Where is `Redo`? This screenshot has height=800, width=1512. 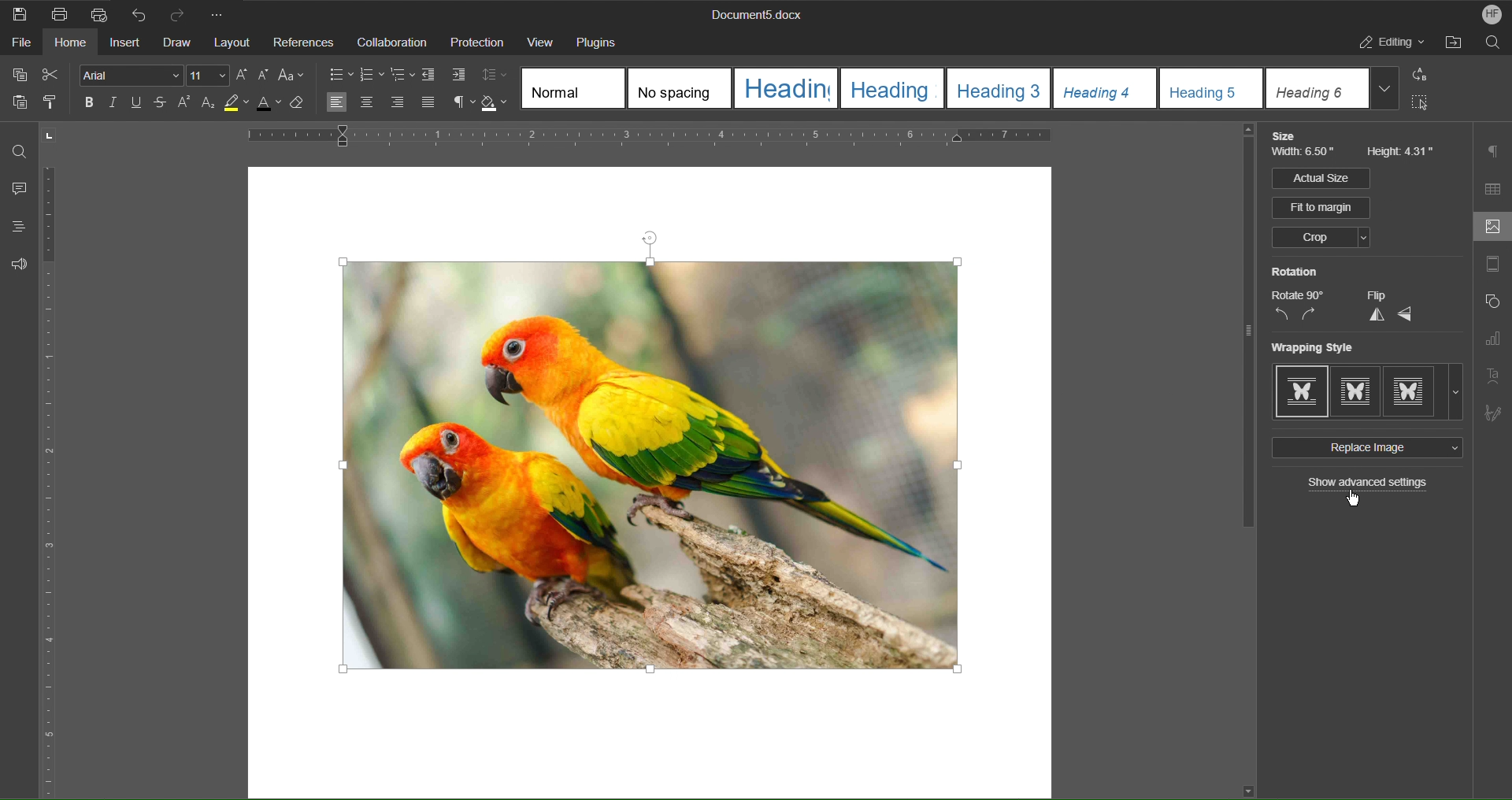 Redo is located at coordinates (183, 13).